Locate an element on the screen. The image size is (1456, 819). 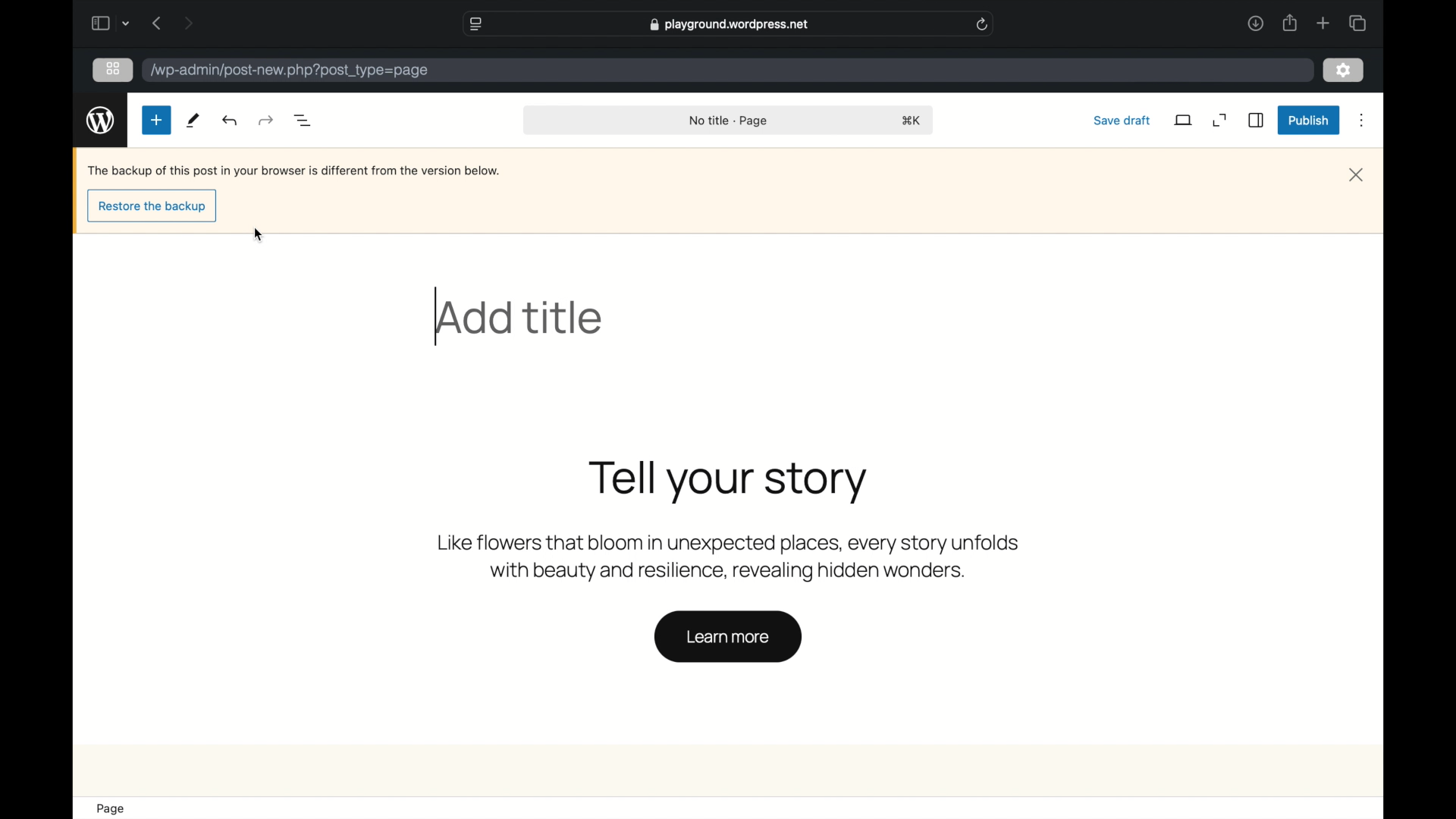
downloads is located at coordinates (1256, 24).